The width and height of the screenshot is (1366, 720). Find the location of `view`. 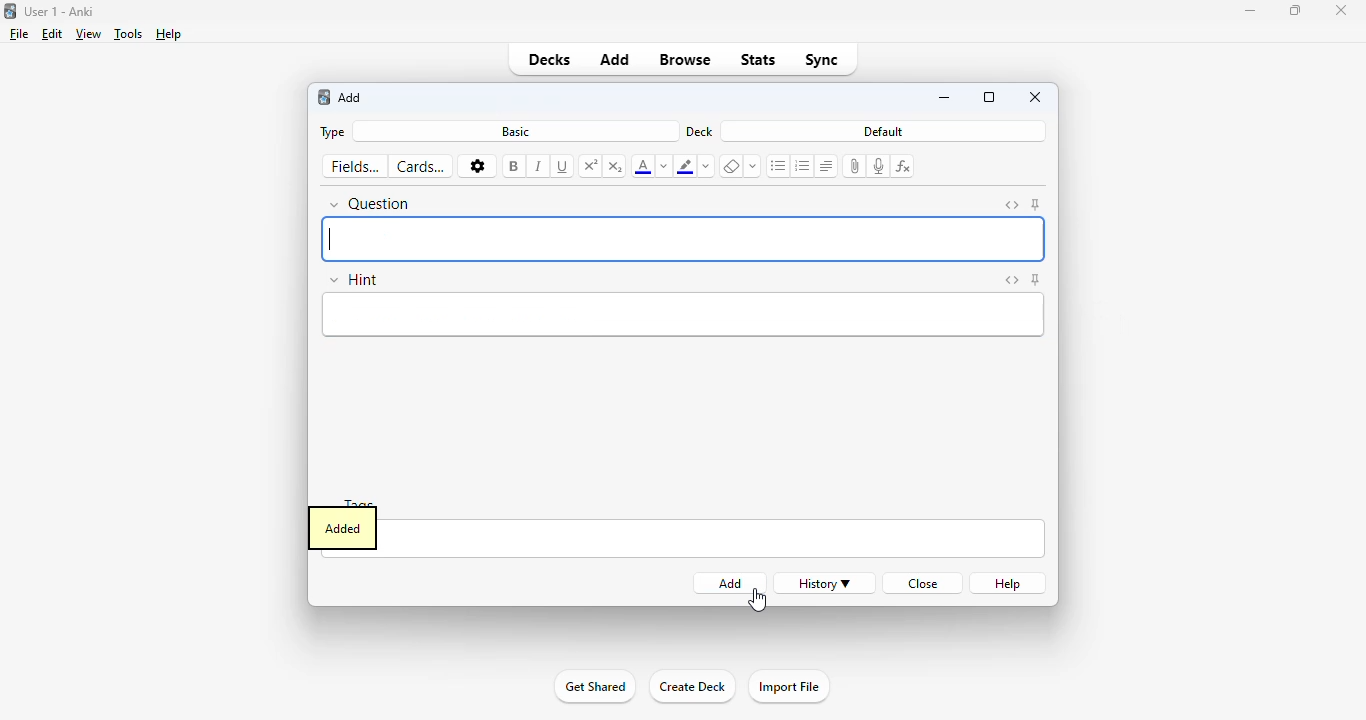

view is located at coordinates (89, 35).